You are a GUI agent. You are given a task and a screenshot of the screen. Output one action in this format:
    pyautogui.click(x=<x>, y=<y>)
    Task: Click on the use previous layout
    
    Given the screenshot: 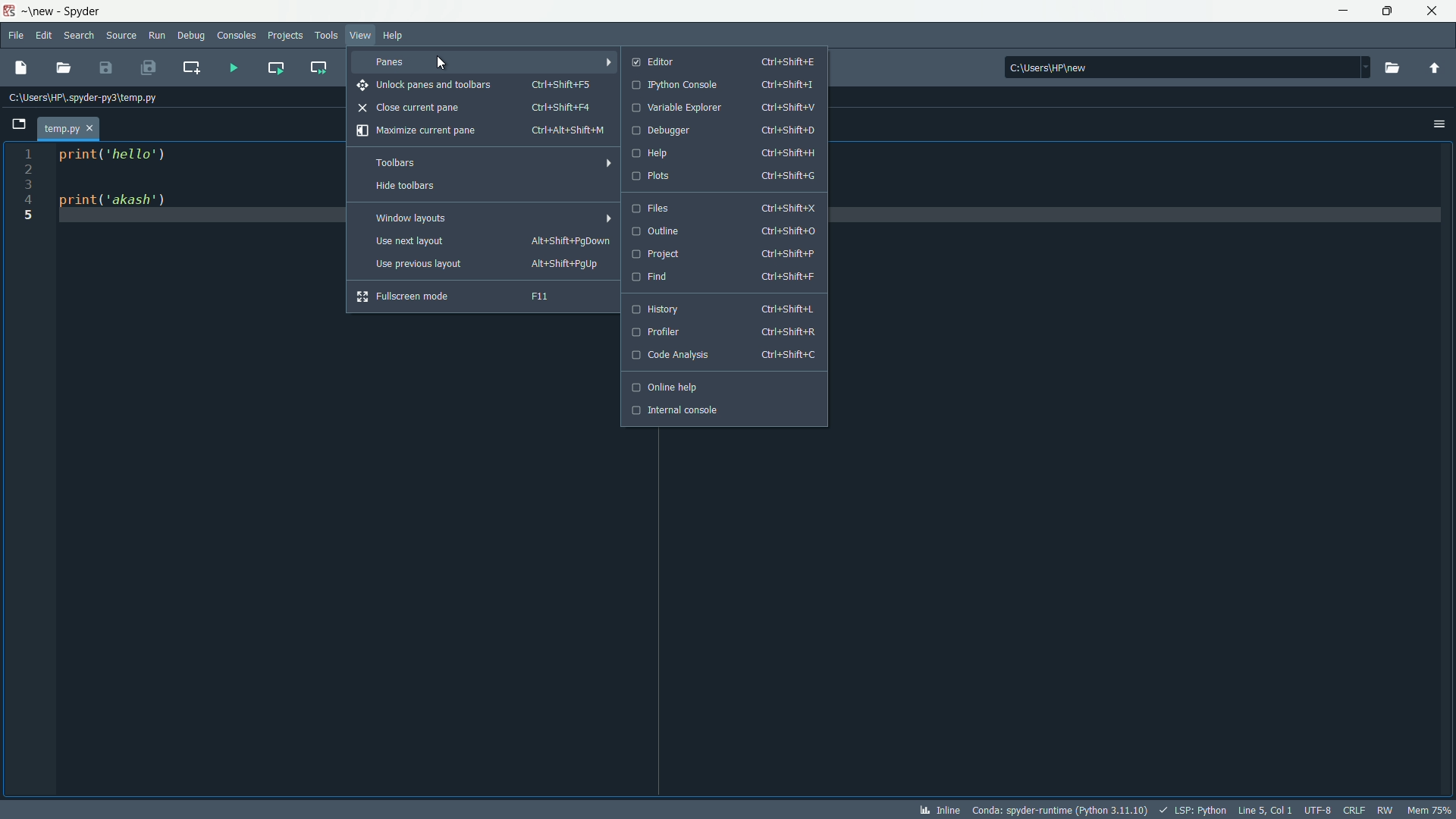 What is the action you would take?
    pyautogui.click(x=488, y=265)
    